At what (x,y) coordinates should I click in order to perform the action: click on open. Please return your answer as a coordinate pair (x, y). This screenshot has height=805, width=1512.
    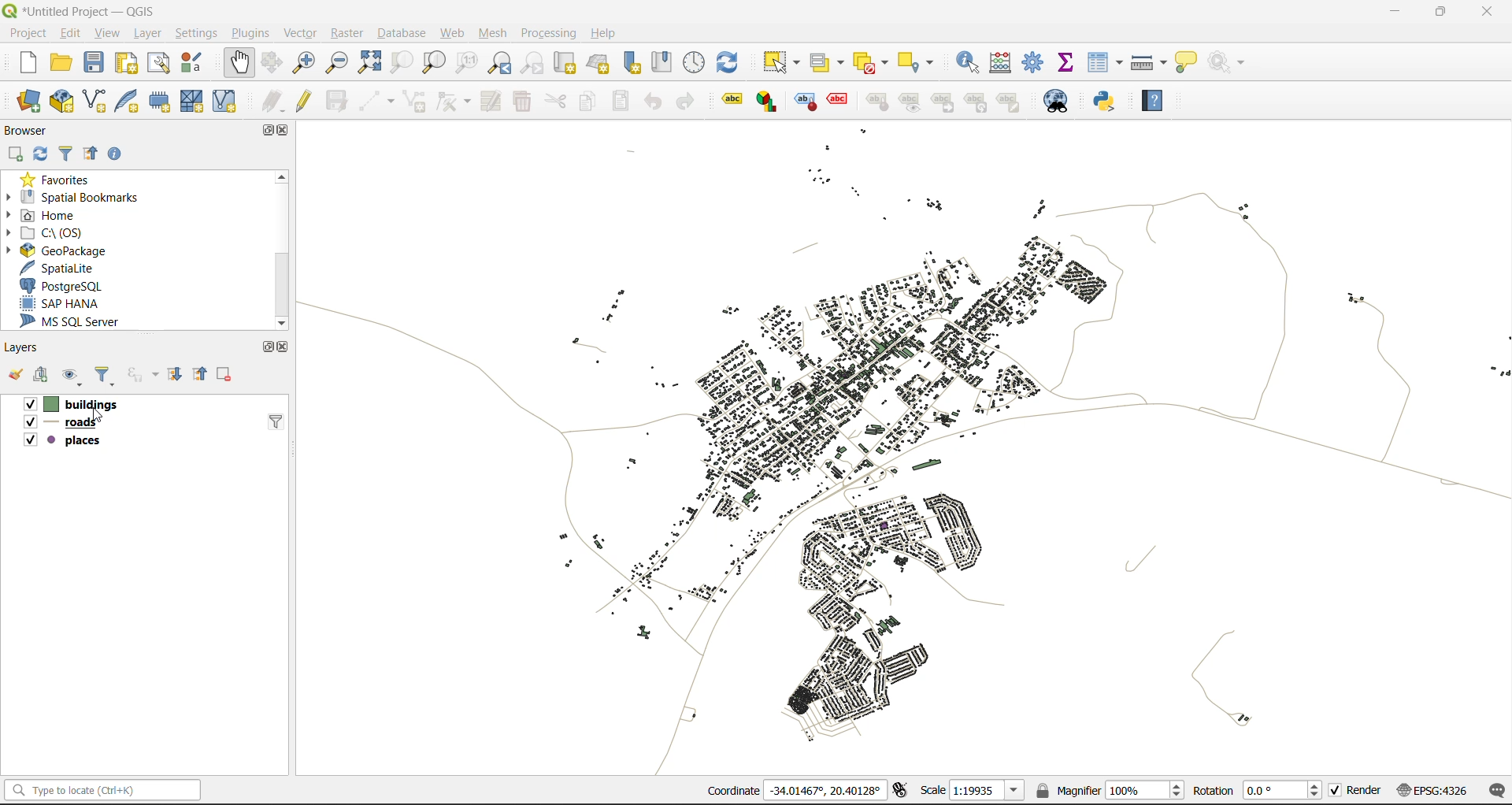
    Looking at the image, I should click on (58, 62).